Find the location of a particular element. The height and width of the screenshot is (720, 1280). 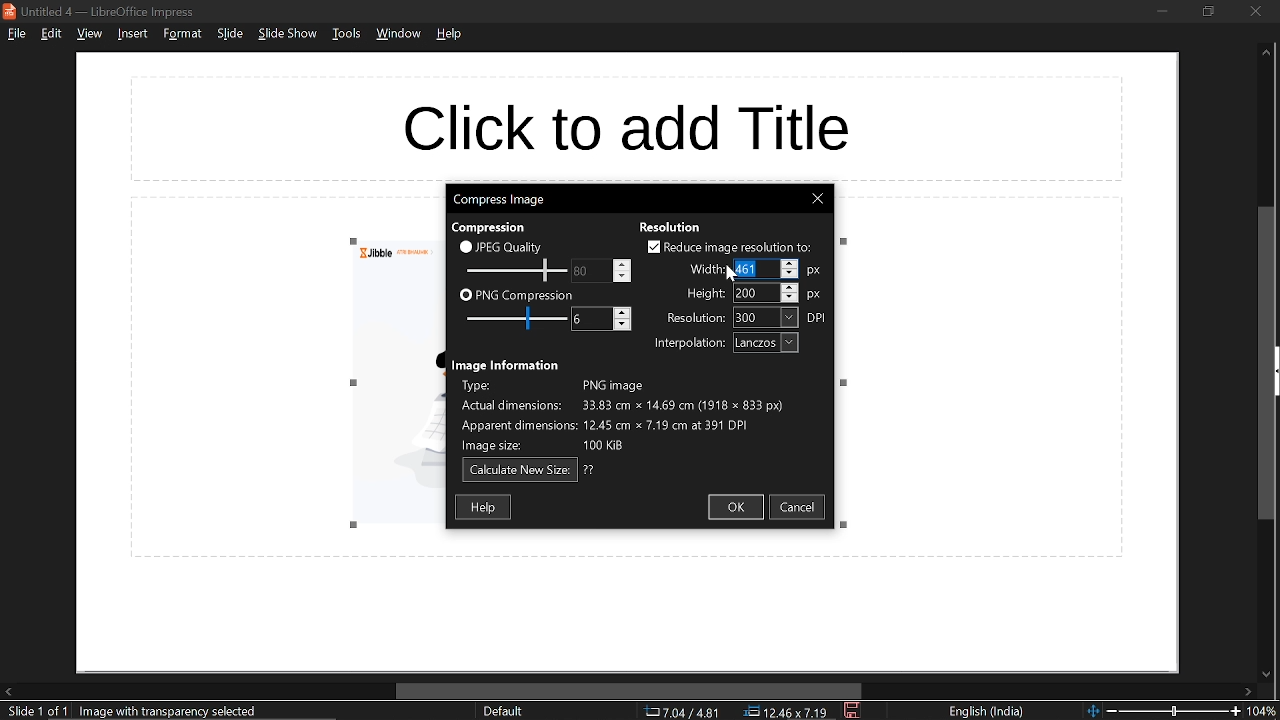

slide is located at coordinates (229, 35).